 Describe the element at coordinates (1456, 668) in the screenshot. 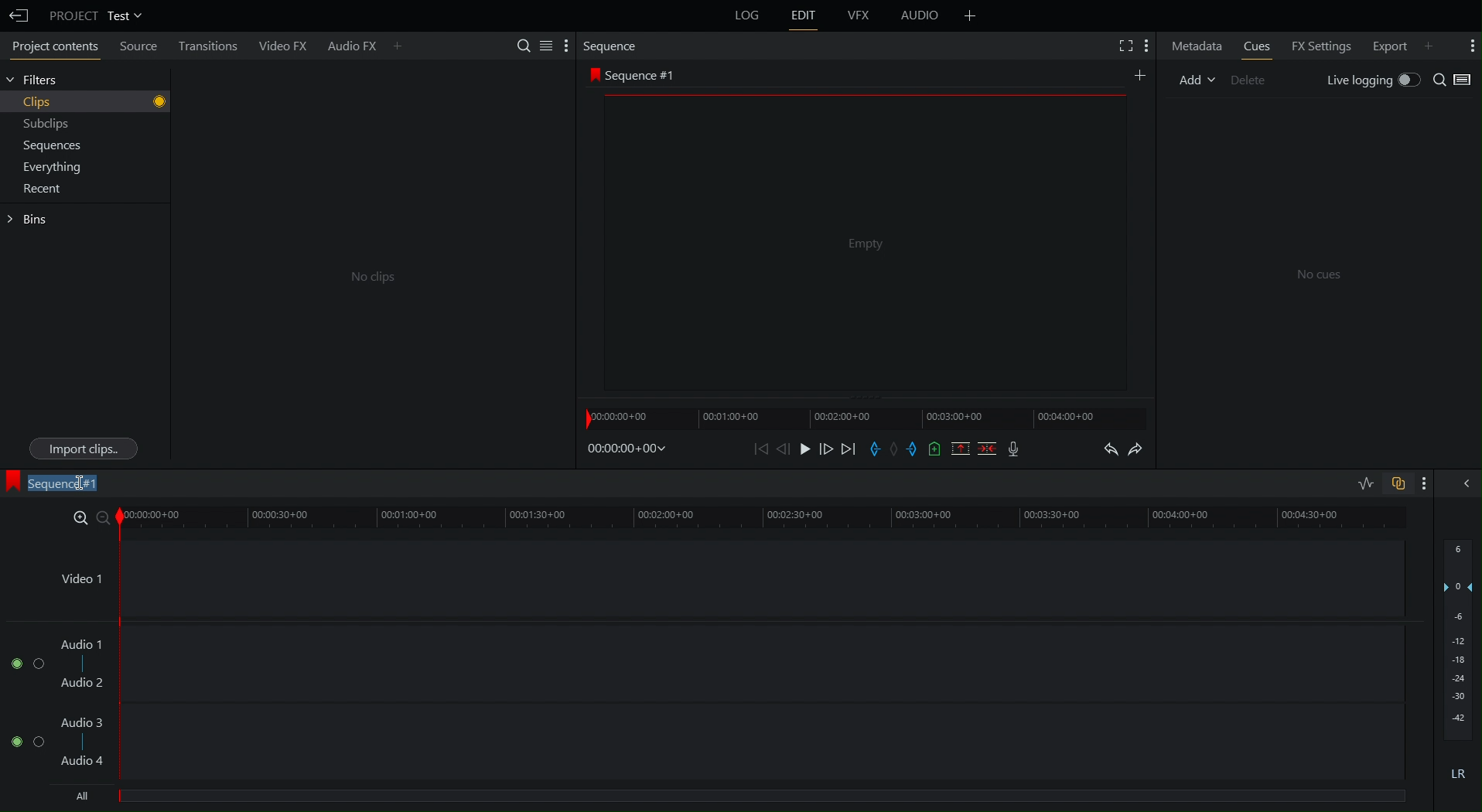

I see `Audio output level` at that location.